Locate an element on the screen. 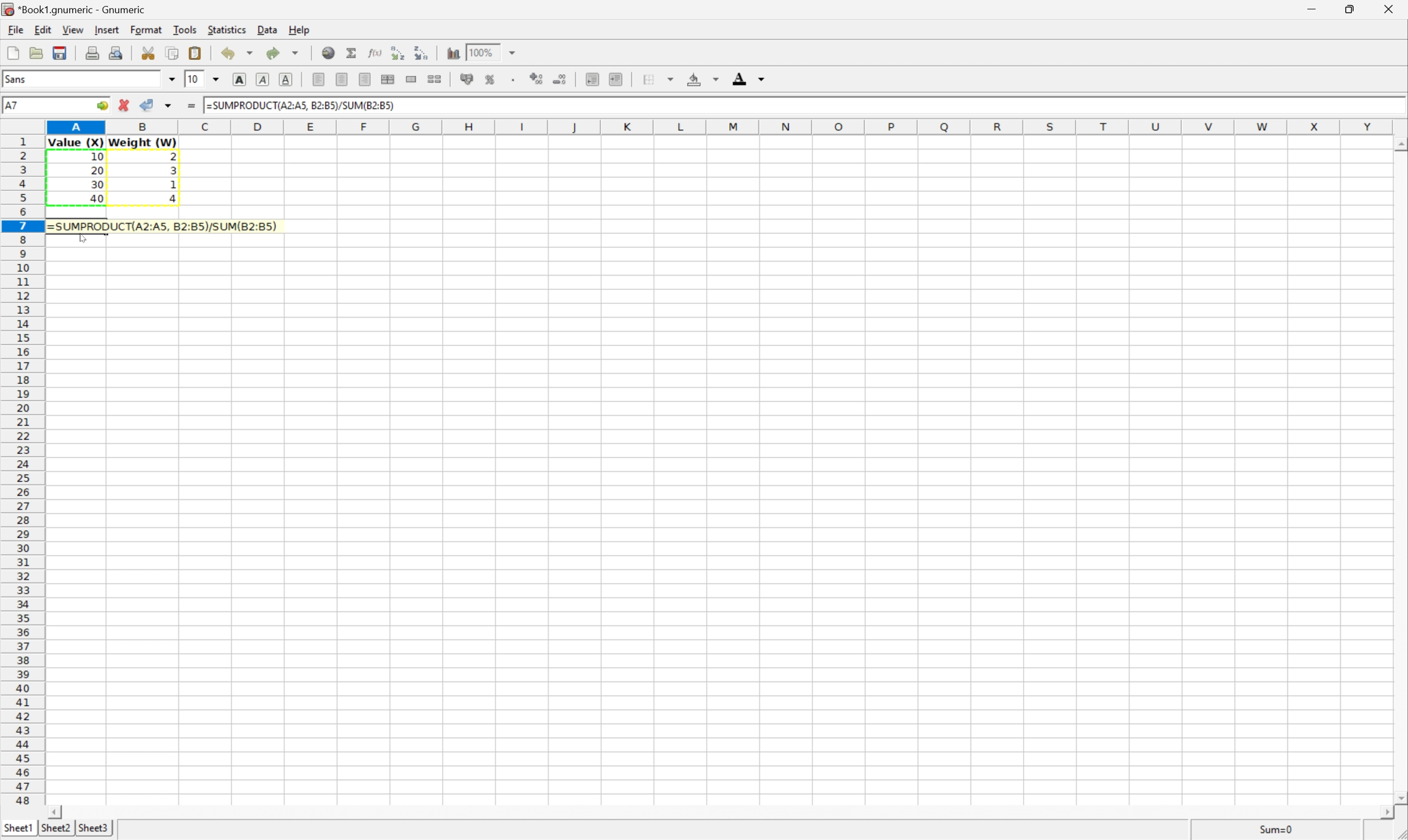 The image size is (1408, 840). 100% is located at coordinates (481, 52).